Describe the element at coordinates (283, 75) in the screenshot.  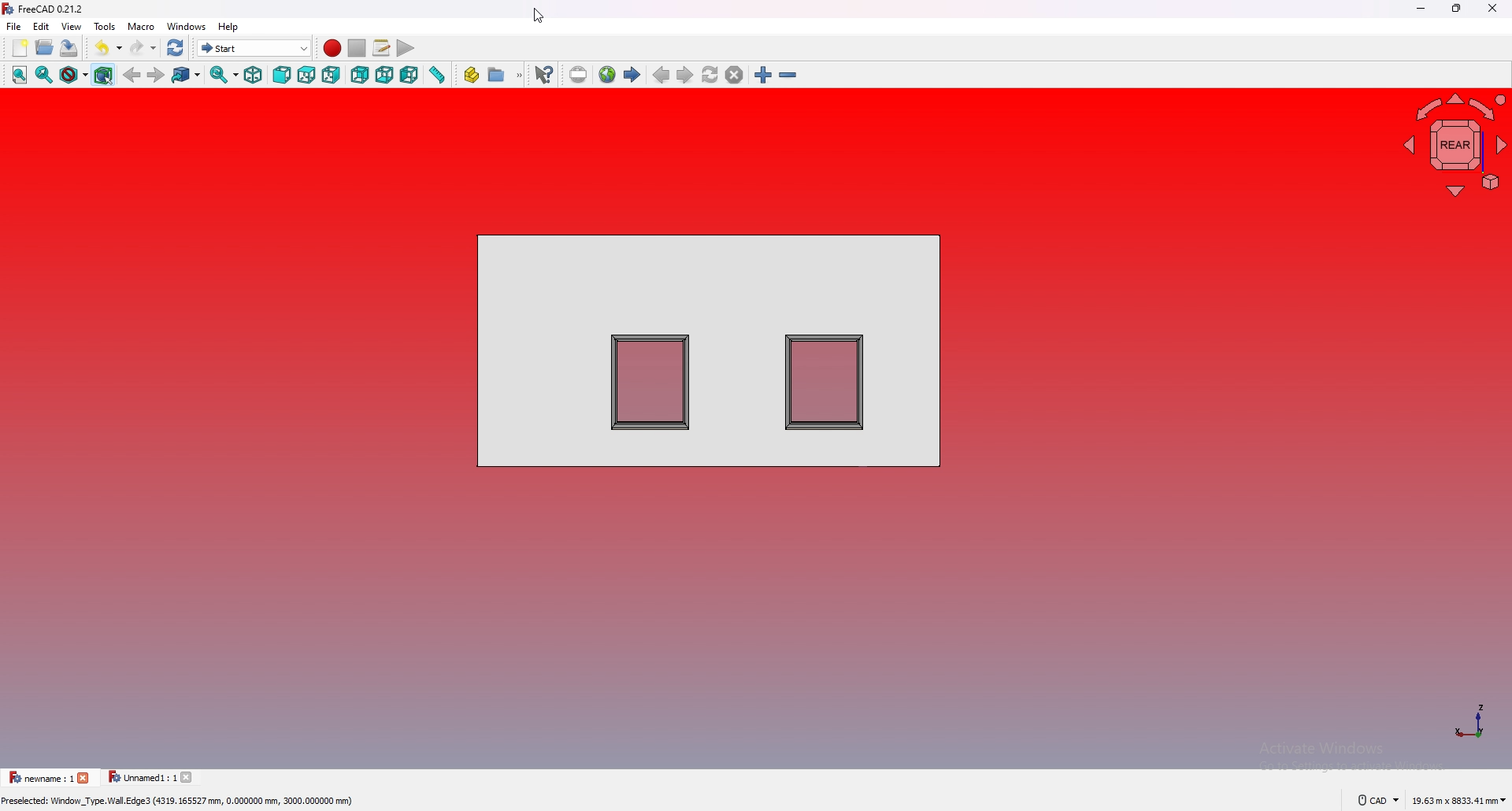
I see `front` at that location.